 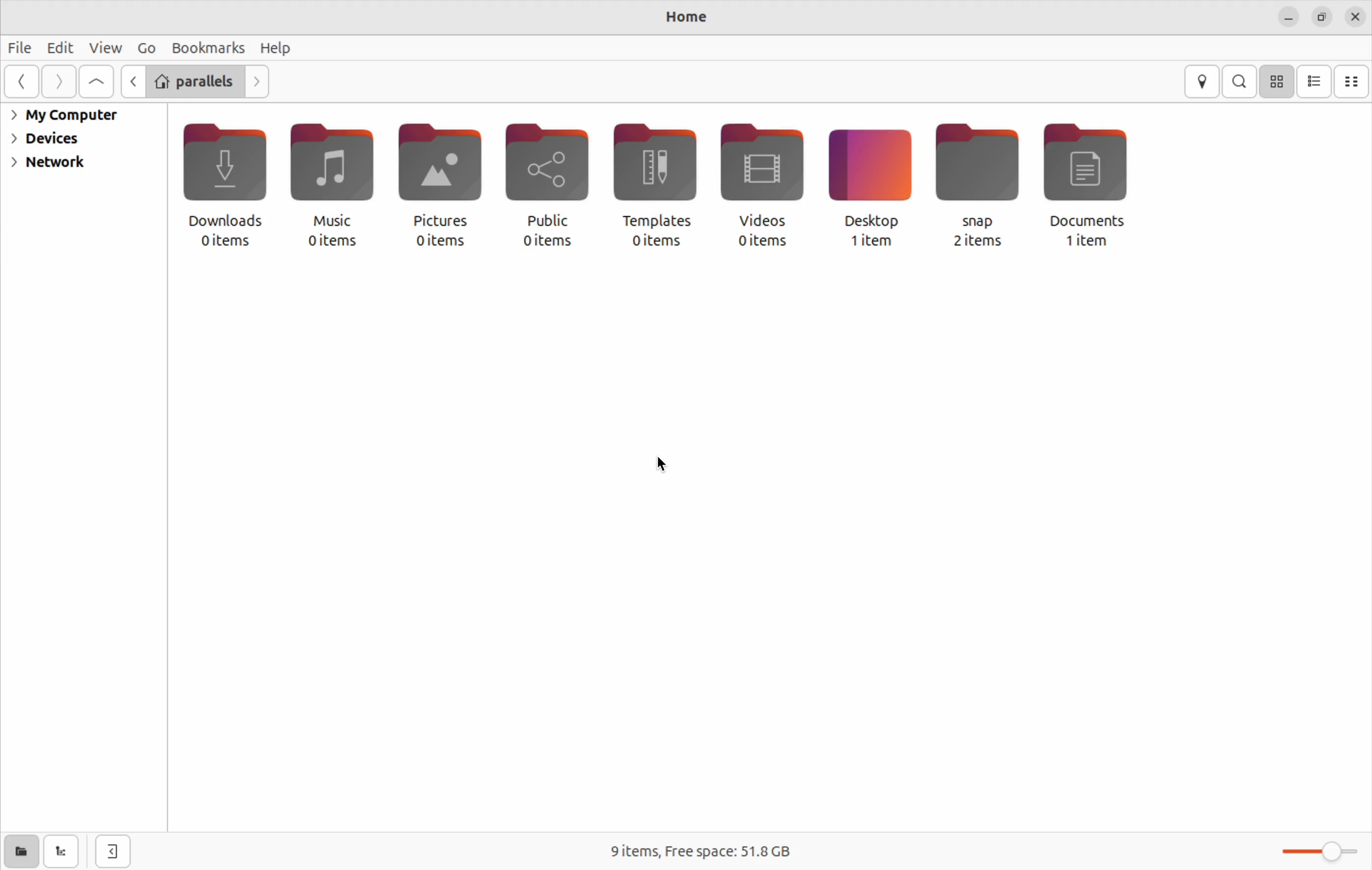 I want to click on show tree view, so click(x=66, y=853).